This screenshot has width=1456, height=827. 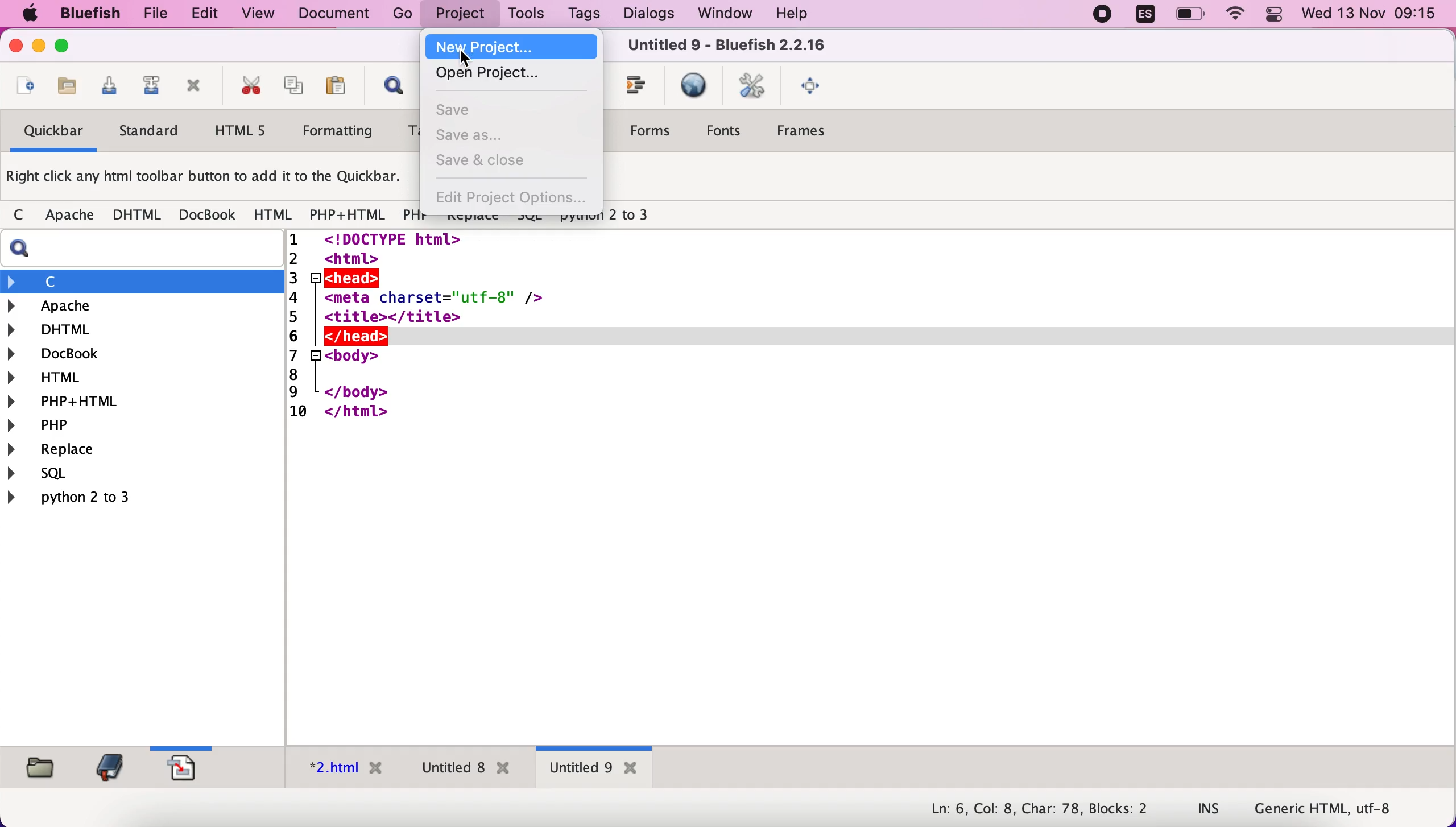 What do you see at coordinates (65, 87) in the screenshot?
I see `save file` at bounding box center [65, 87].